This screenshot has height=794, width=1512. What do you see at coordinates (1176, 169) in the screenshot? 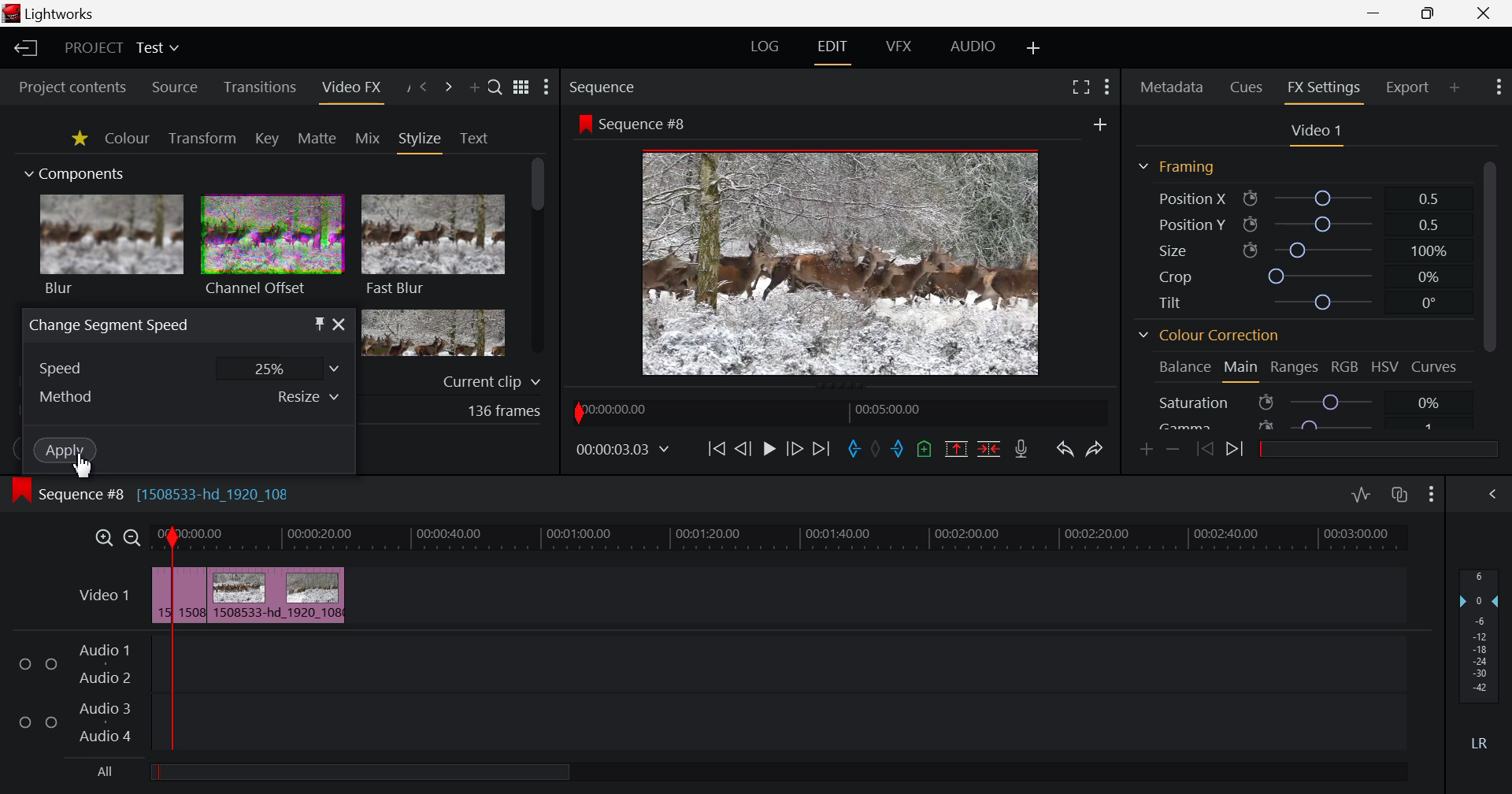
I see `Framing Section` at bounding box center [1176, 169].